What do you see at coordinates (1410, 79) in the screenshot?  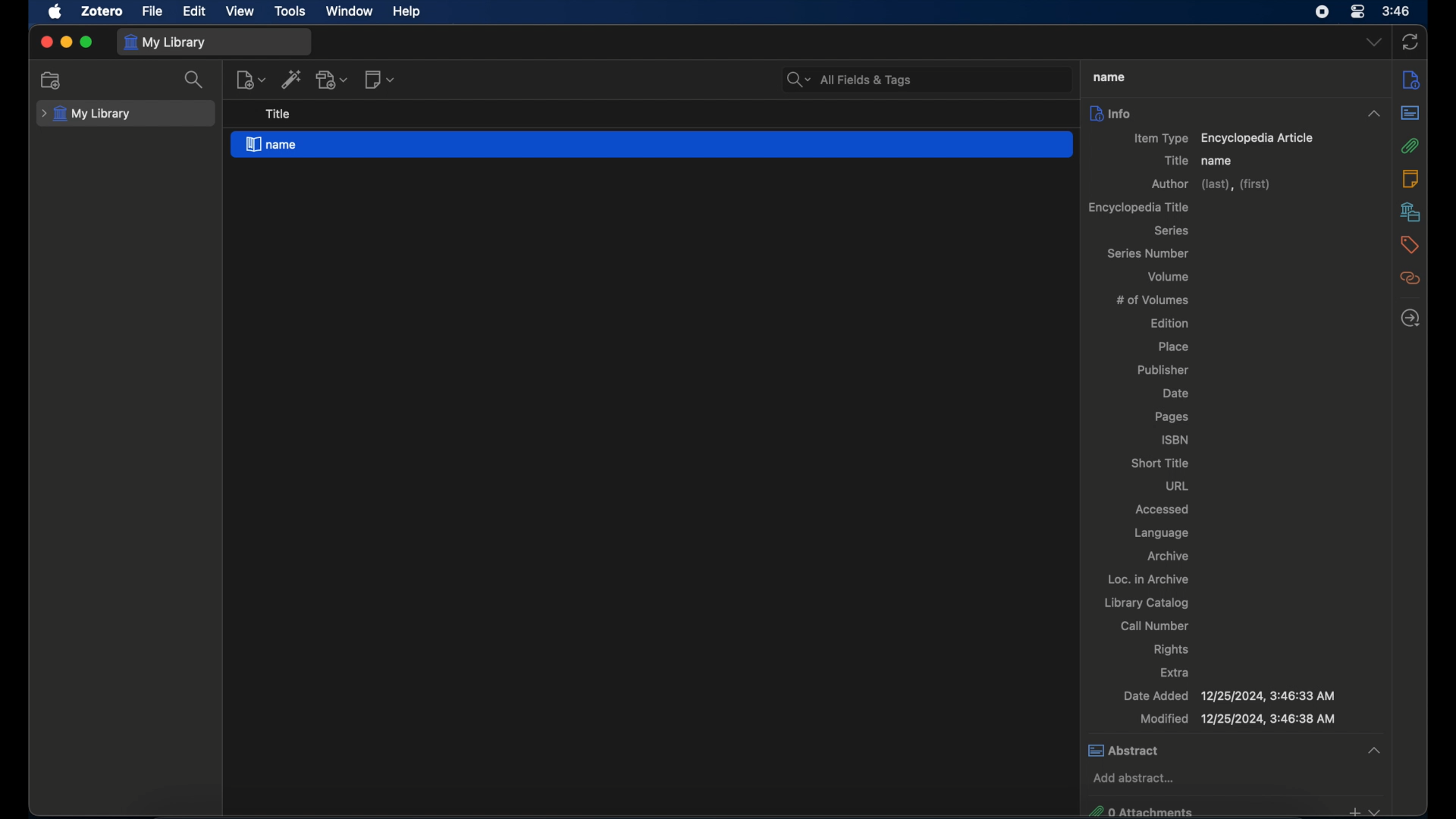 I see `info` at bounding box center [1410, 79].